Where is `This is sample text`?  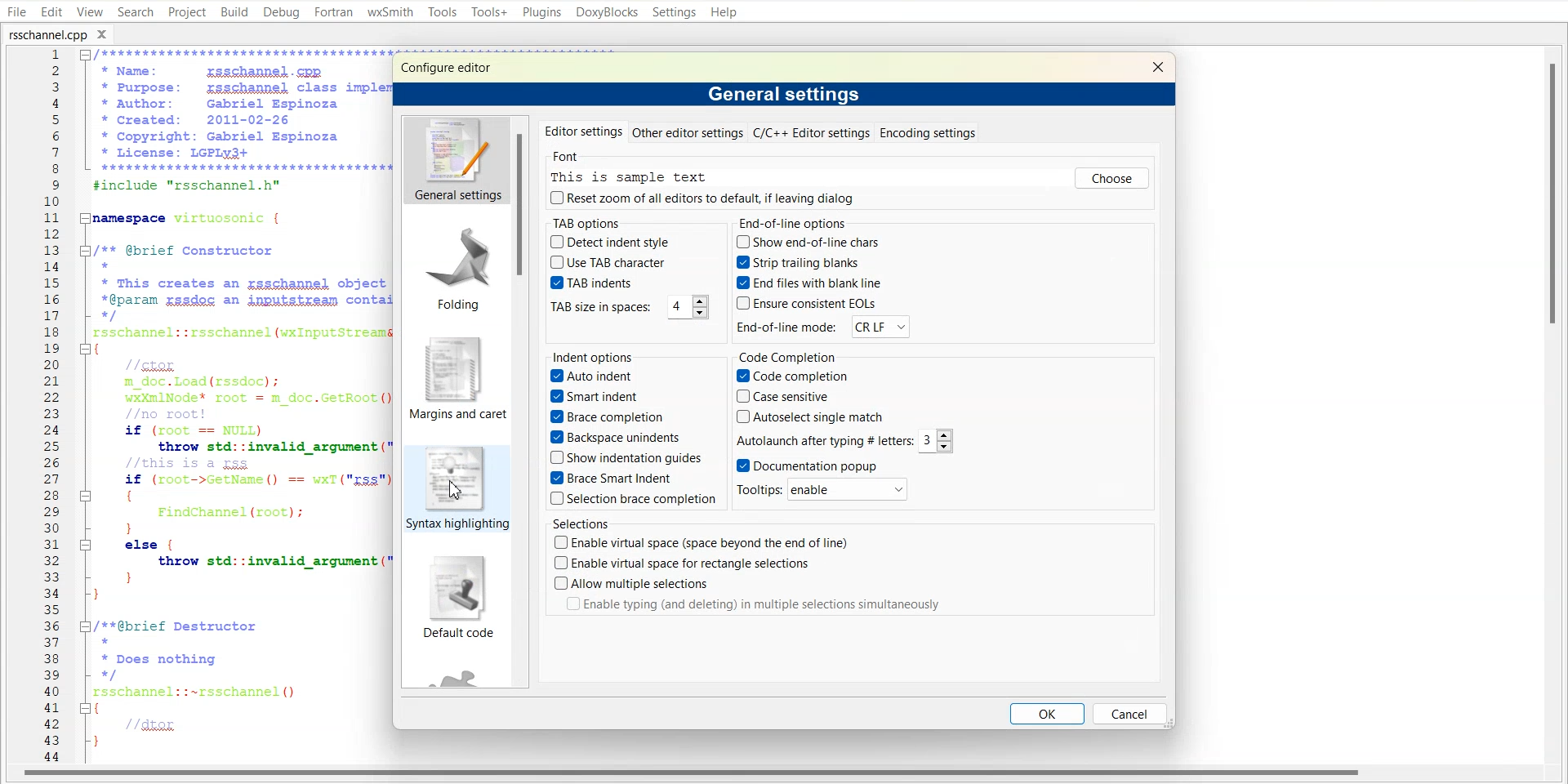
This is sample text is located at coordinates (808, 176).